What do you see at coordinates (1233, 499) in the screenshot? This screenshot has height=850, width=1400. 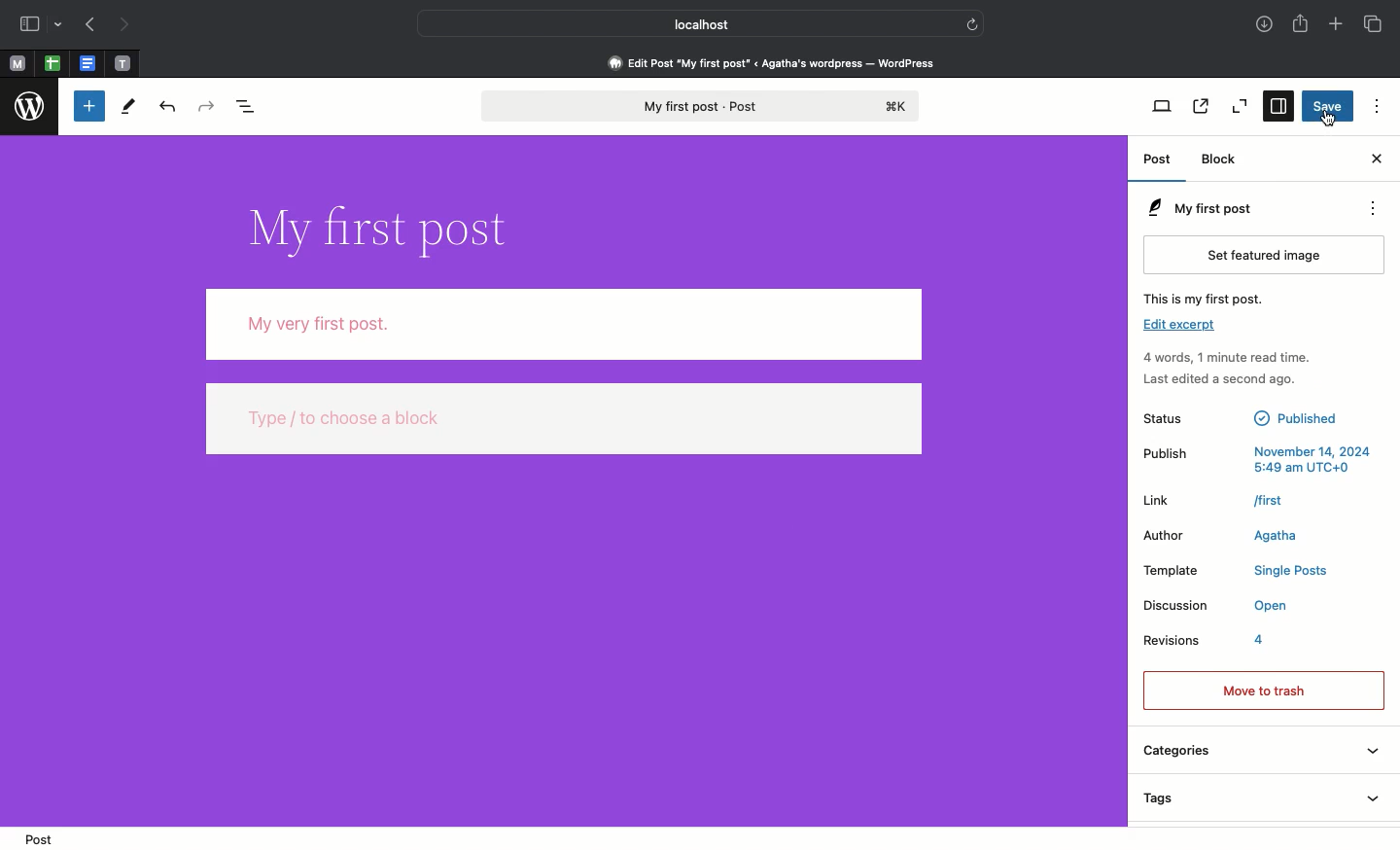 I see `Link` at bounding box center [1233, 499].